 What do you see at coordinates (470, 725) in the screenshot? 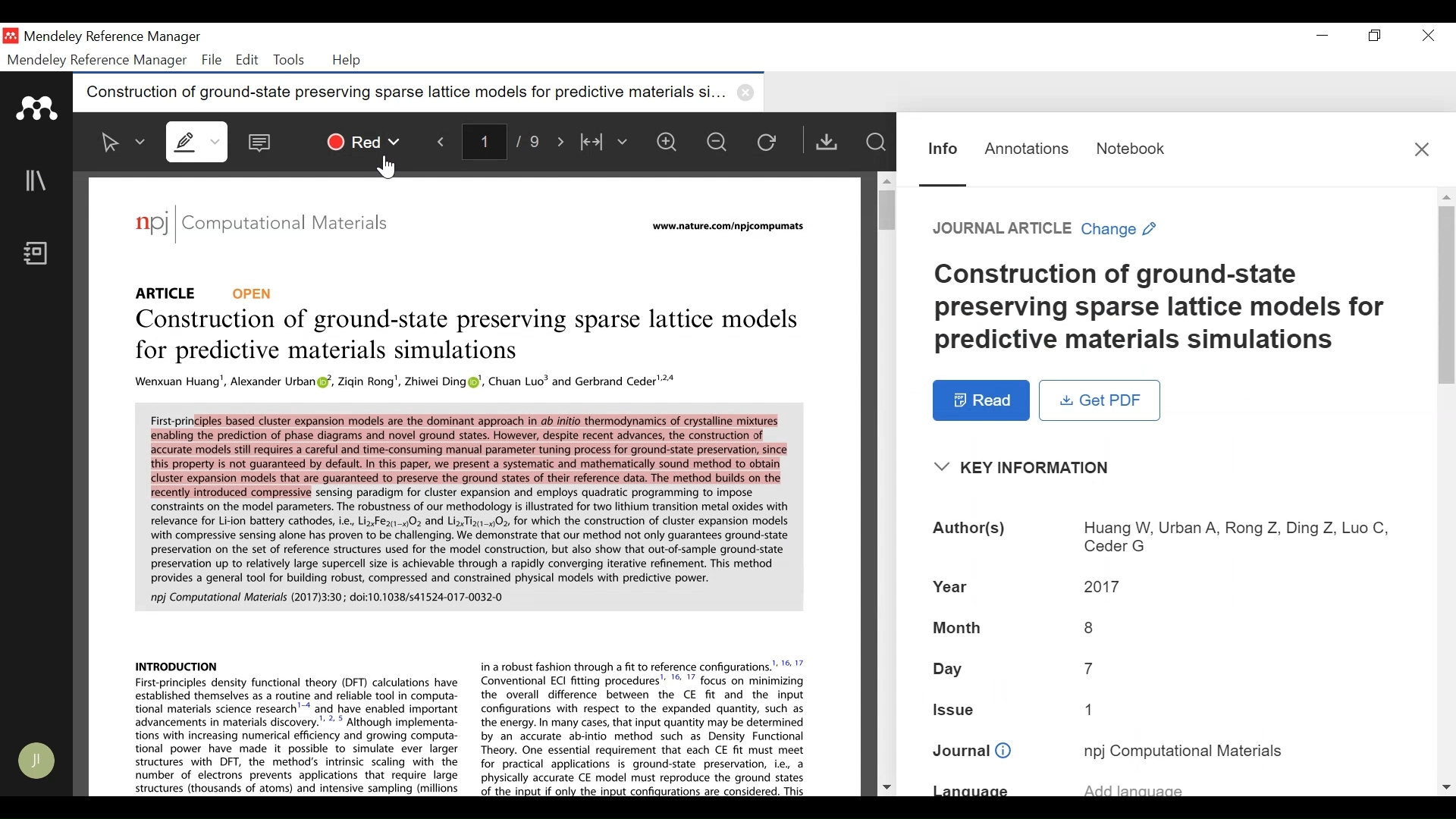
I see `INTRODUCTION in a robust fashion through a fit to reference configurations.” '* 7
First-principles density functional theory (DFT) calculations have ~~ Conventional EC! fitting procedures’ ' 7 focus on minimizing
established themselves as a routine and reliable tool in computa- the overall difference between the CE fit and the input
tional materials science research’ and have enabled important configurations with respect to the expanded quantity, such as
advancements in materials discovery.” * * Although implementa- the energy. In many cases, that input quantity may be determined
tions with increasing numerical efficiency and growing computa- by an accurate ab-intio method such as Density Functional
tional power have made it possible to simulate ever larger Theory. One essential requirement that each CE fit must meet
structures with DFT, the method's intrinsic scaling with the for practical applications is ground-state preservation, ie, a
number of electrons prevents applications that require large physically accurate CE model must reproduce the ground states
structures (thousands of atoms) and intensive sampling (Millions Af the nmr i only the innit canfianratione are cancidered Thic` at bounding box center [470, 725].